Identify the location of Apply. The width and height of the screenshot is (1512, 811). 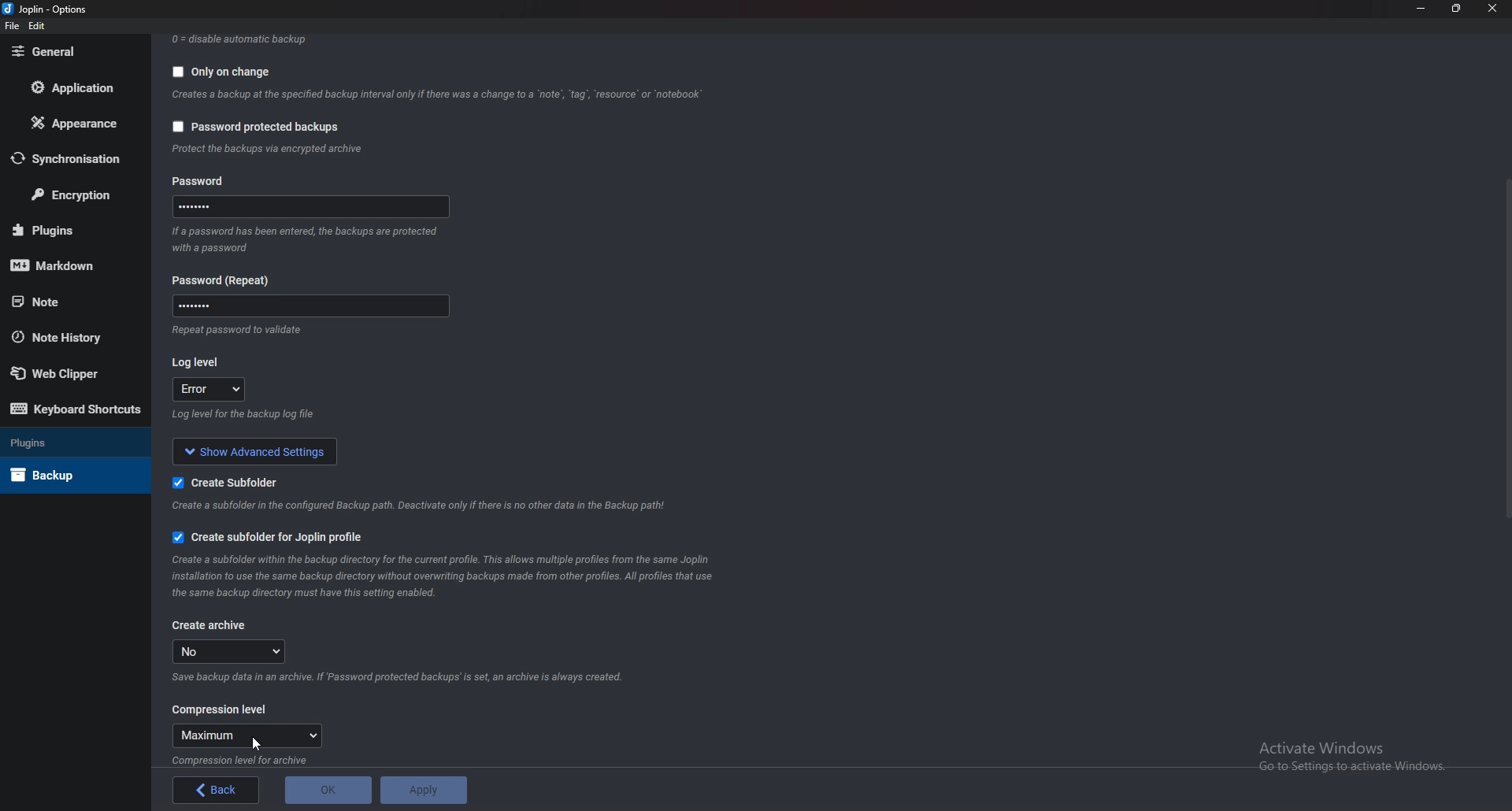
(422, 788).